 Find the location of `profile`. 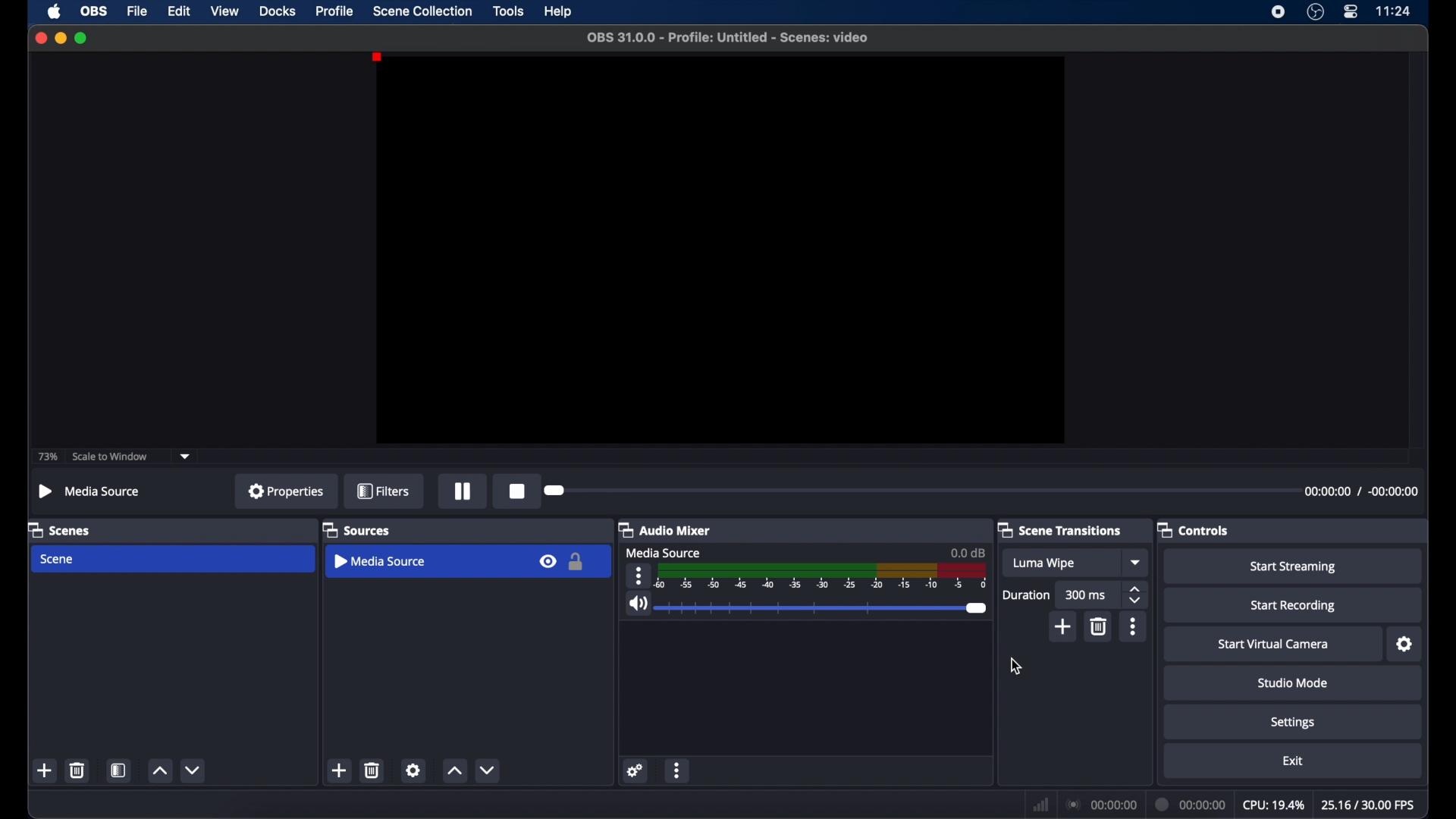

profile is located at coordinates (336, 11).